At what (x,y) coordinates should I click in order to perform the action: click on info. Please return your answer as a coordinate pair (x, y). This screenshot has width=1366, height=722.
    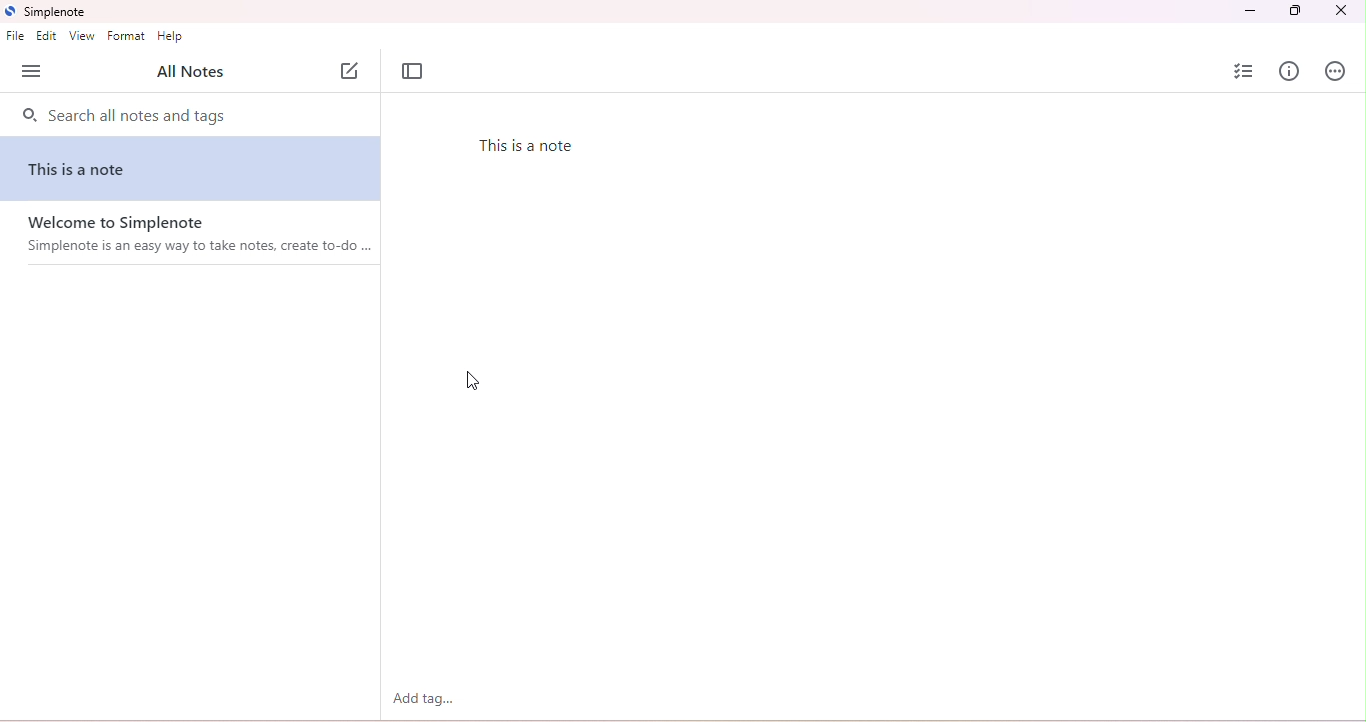
    Looking at the image, I should click on (1290, 71).